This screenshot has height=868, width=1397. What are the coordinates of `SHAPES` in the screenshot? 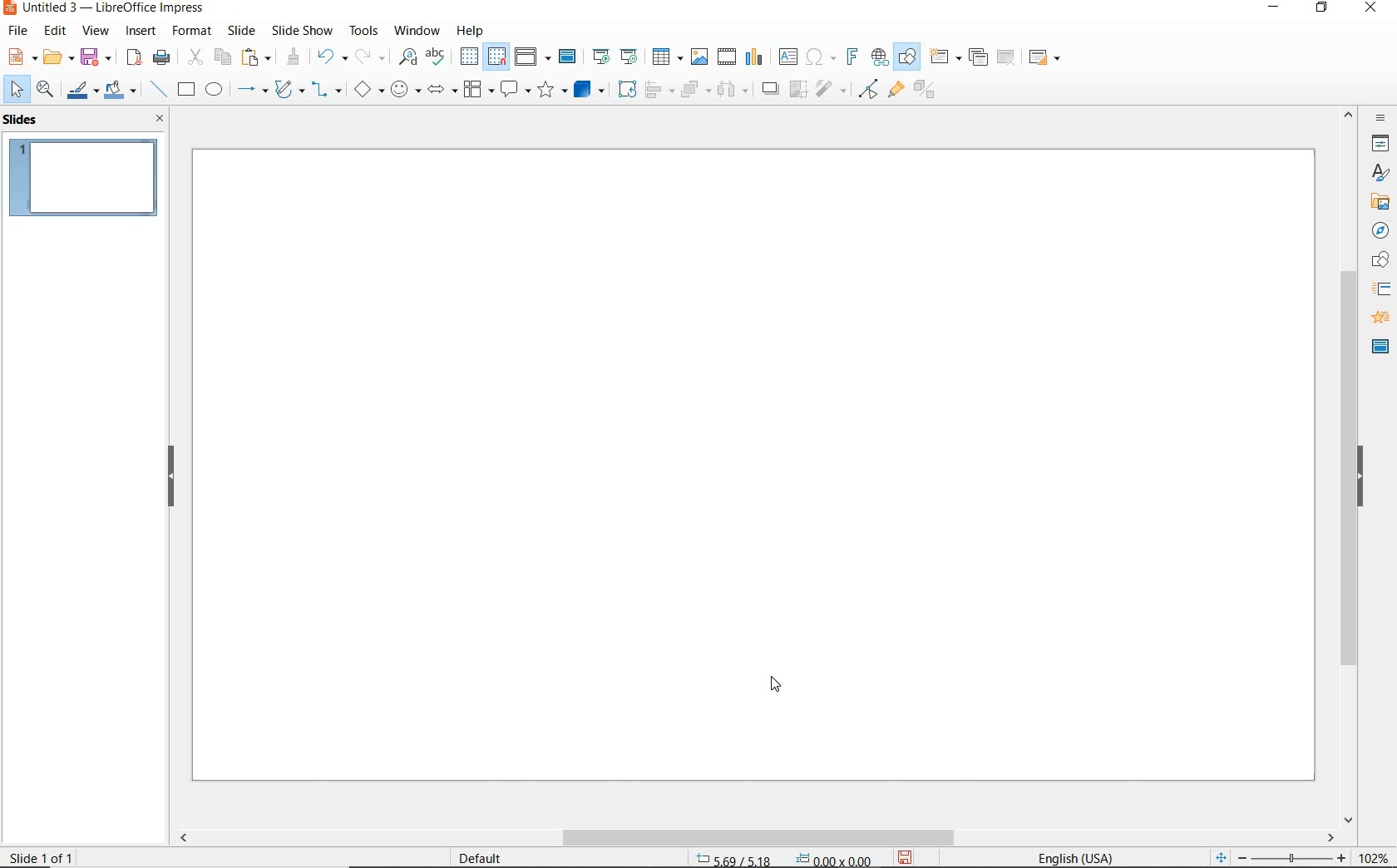 It's located at (1377, 262).